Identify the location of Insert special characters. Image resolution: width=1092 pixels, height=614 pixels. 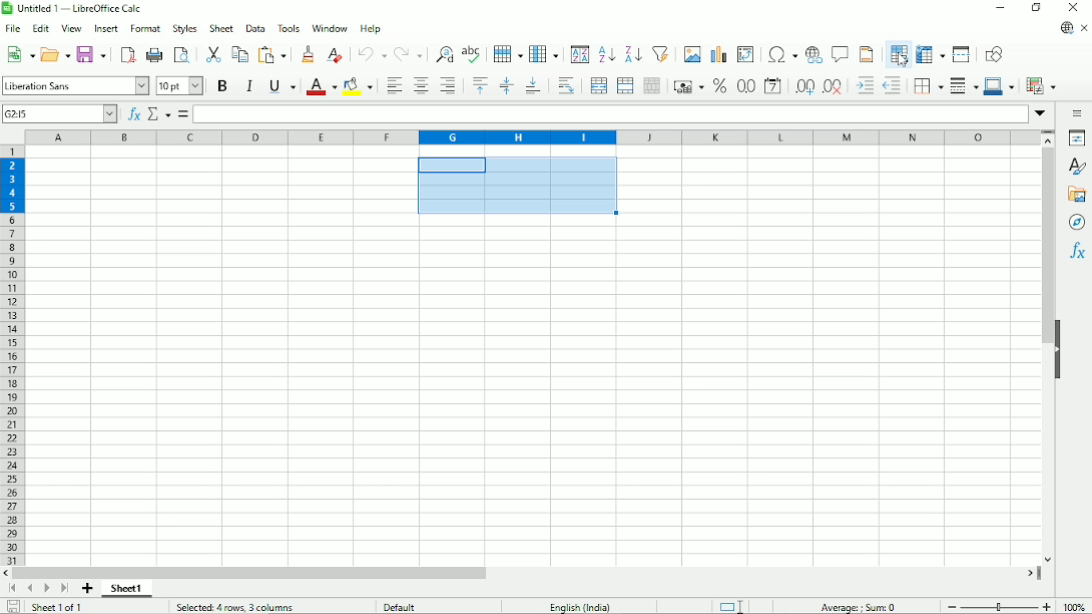
(781, 54).